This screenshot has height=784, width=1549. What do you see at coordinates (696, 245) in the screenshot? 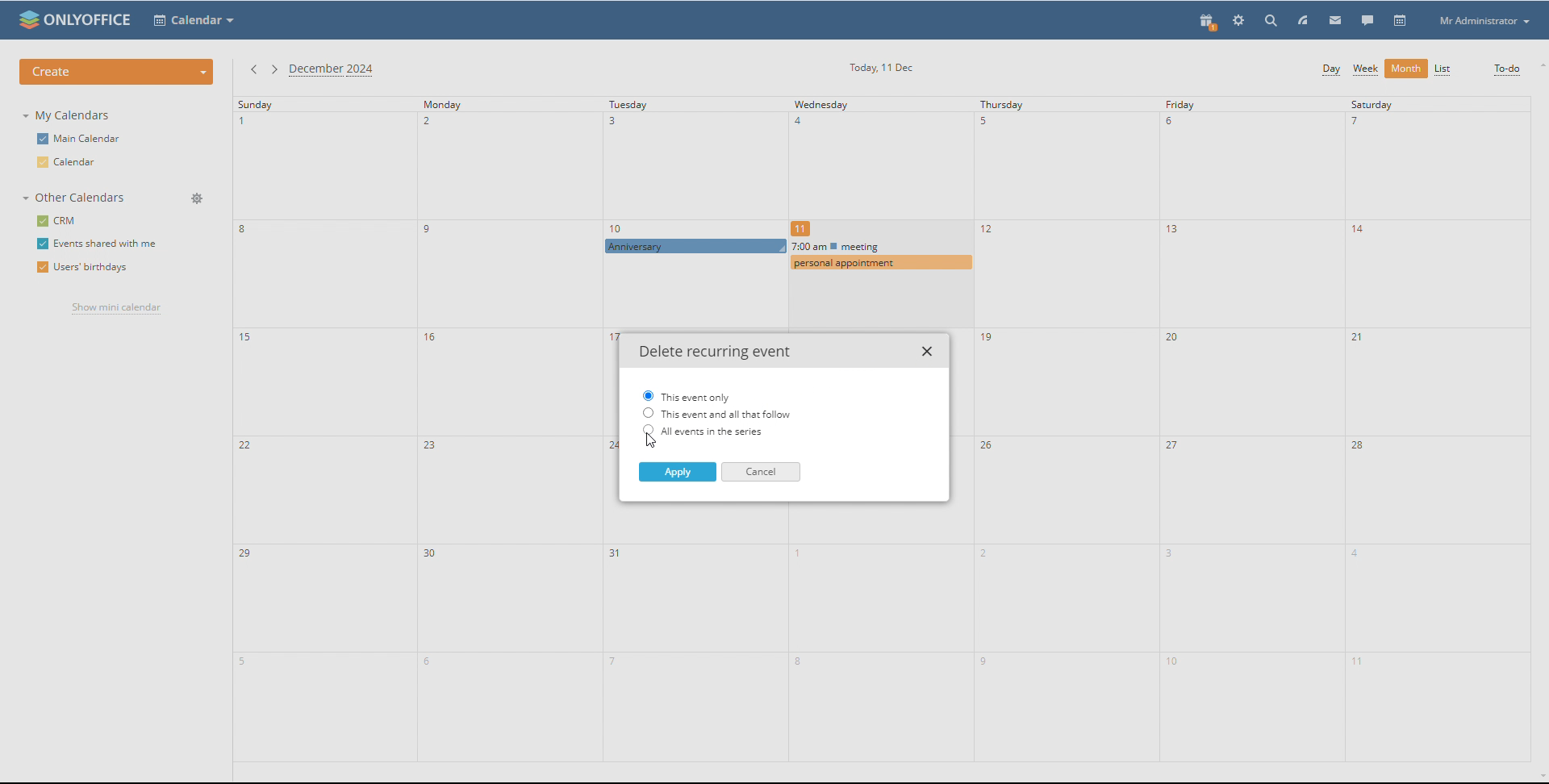
I see `recurring event` at bounding box center [696, 245].